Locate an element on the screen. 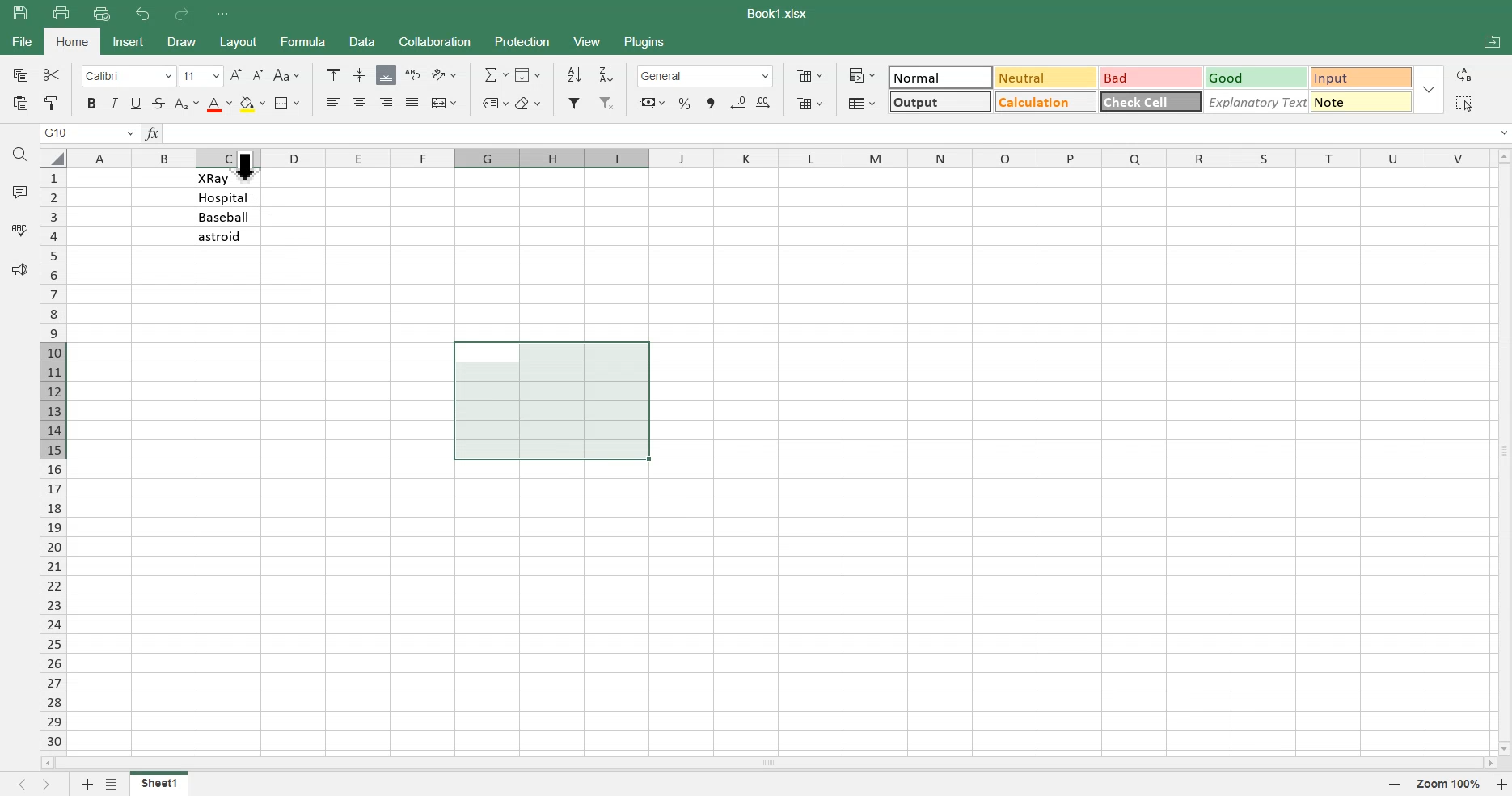 This screenshot has height=796, width=1512. Decrease Decimal is located at coordinates (738, 103).